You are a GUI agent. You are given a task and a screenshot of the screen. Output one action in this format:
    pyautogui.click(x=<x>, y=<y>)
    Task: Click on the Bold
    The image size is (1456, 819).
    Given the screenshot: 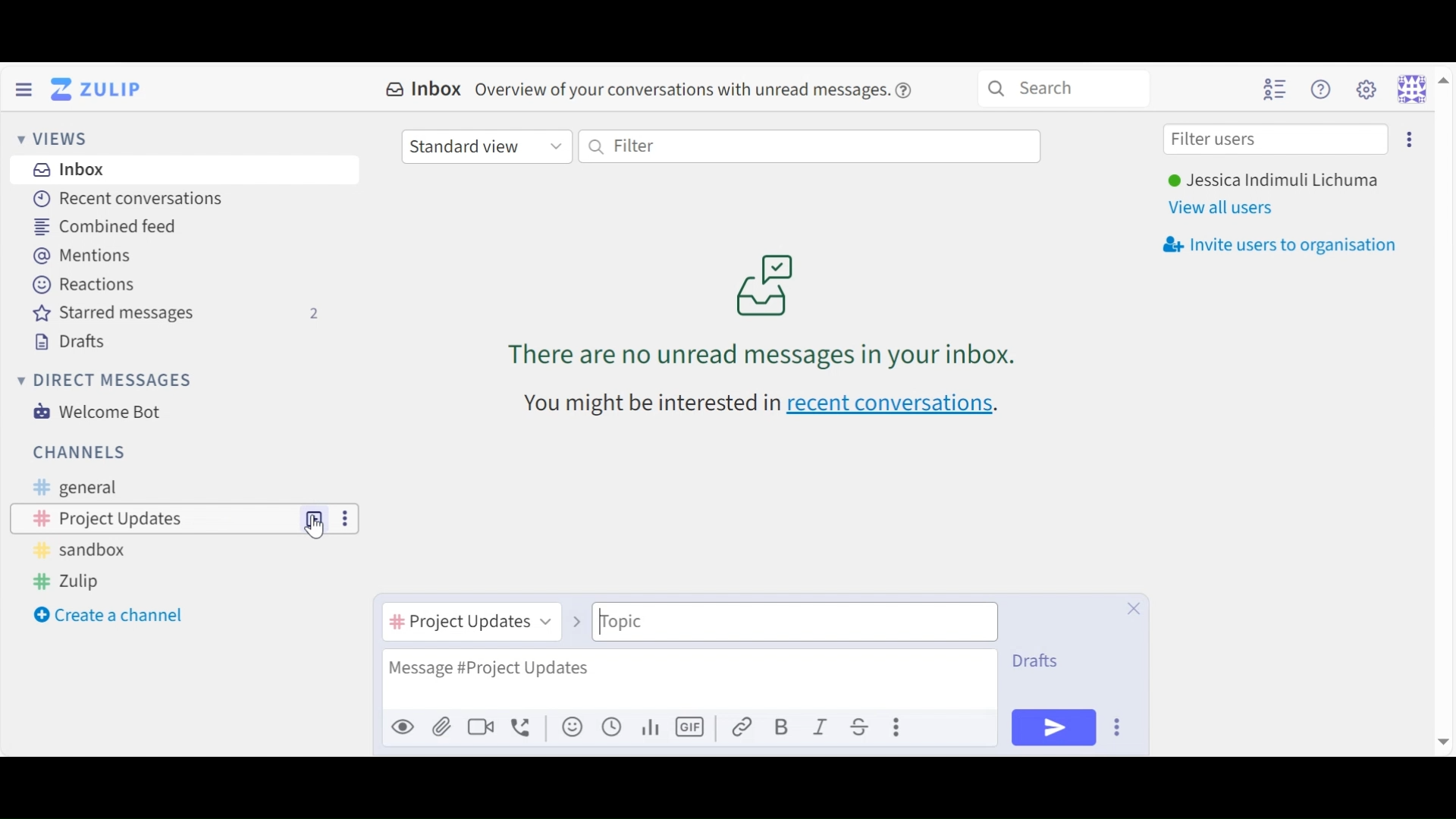 What is the action you would take?
    pyautogui.click(x=781, y=726)
    